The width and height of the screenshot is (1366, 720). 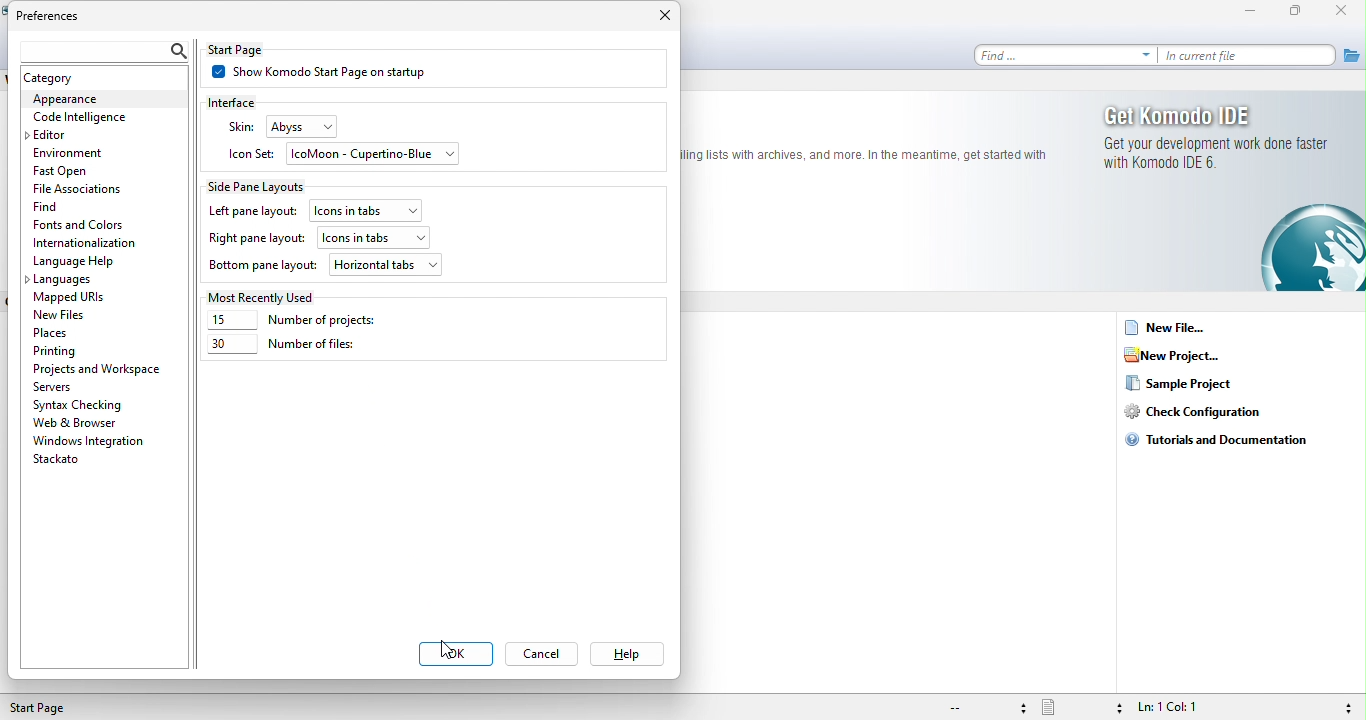 What do you see at coordinates (92, 243) in the screenshot?
I see `internationalization` at bounding box center [92, 243].